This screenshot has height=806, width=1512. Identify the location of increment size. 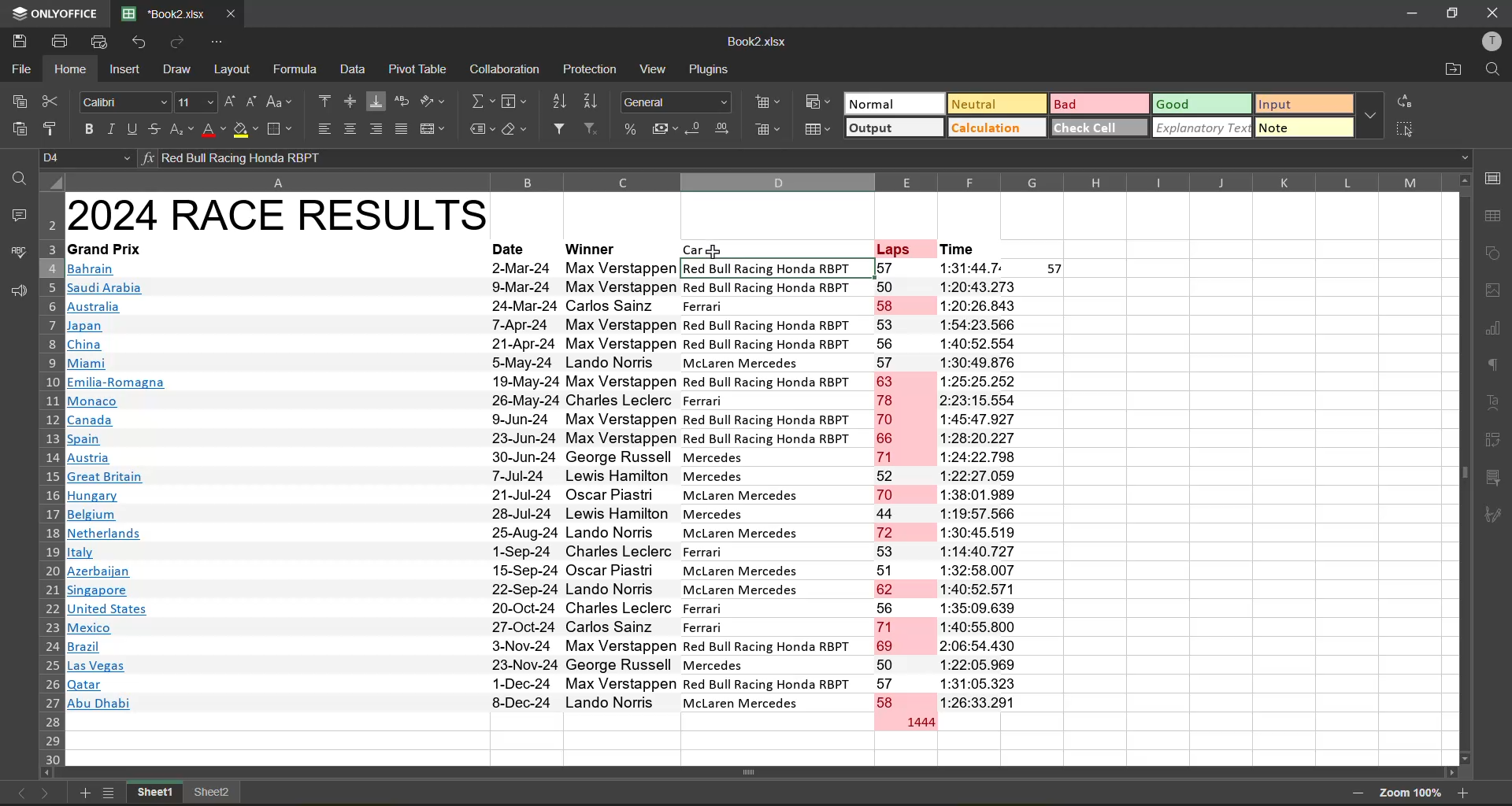
(232, 102).